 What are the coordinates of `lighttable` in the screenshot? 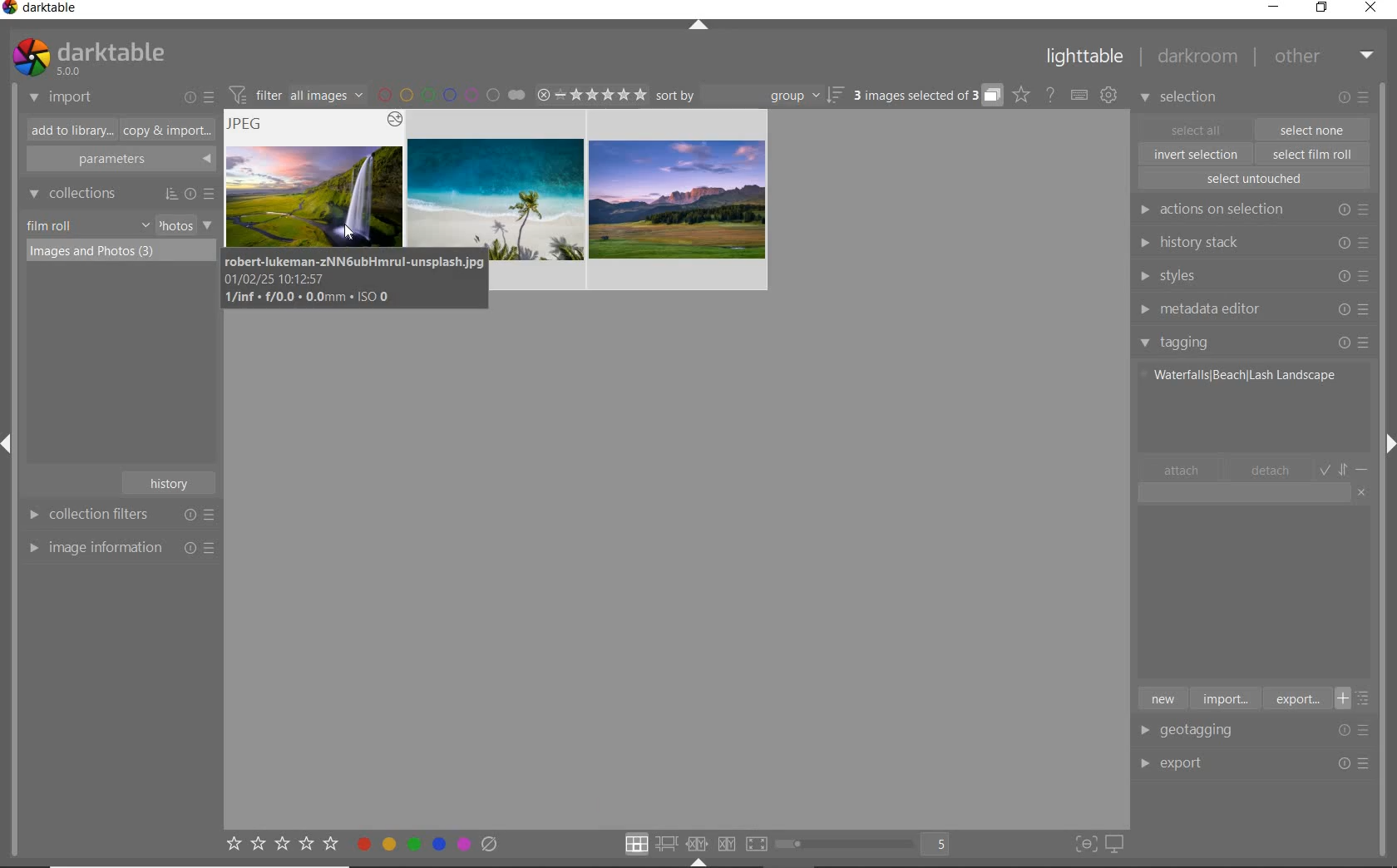 It's located at (1085, 60).